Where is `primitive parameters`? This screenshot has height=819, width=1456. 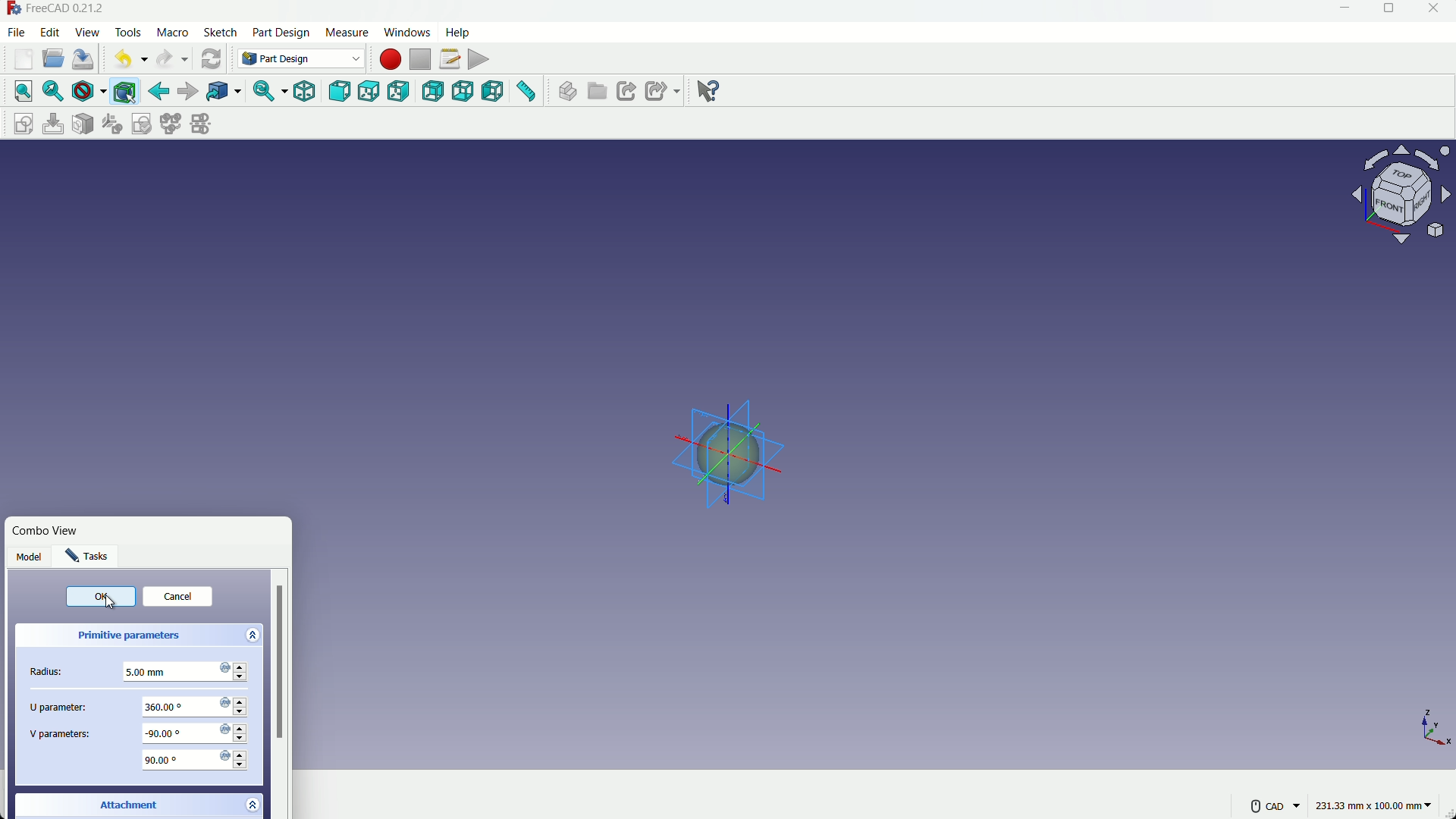
primitive parameters is located at coordinates (127, 635).